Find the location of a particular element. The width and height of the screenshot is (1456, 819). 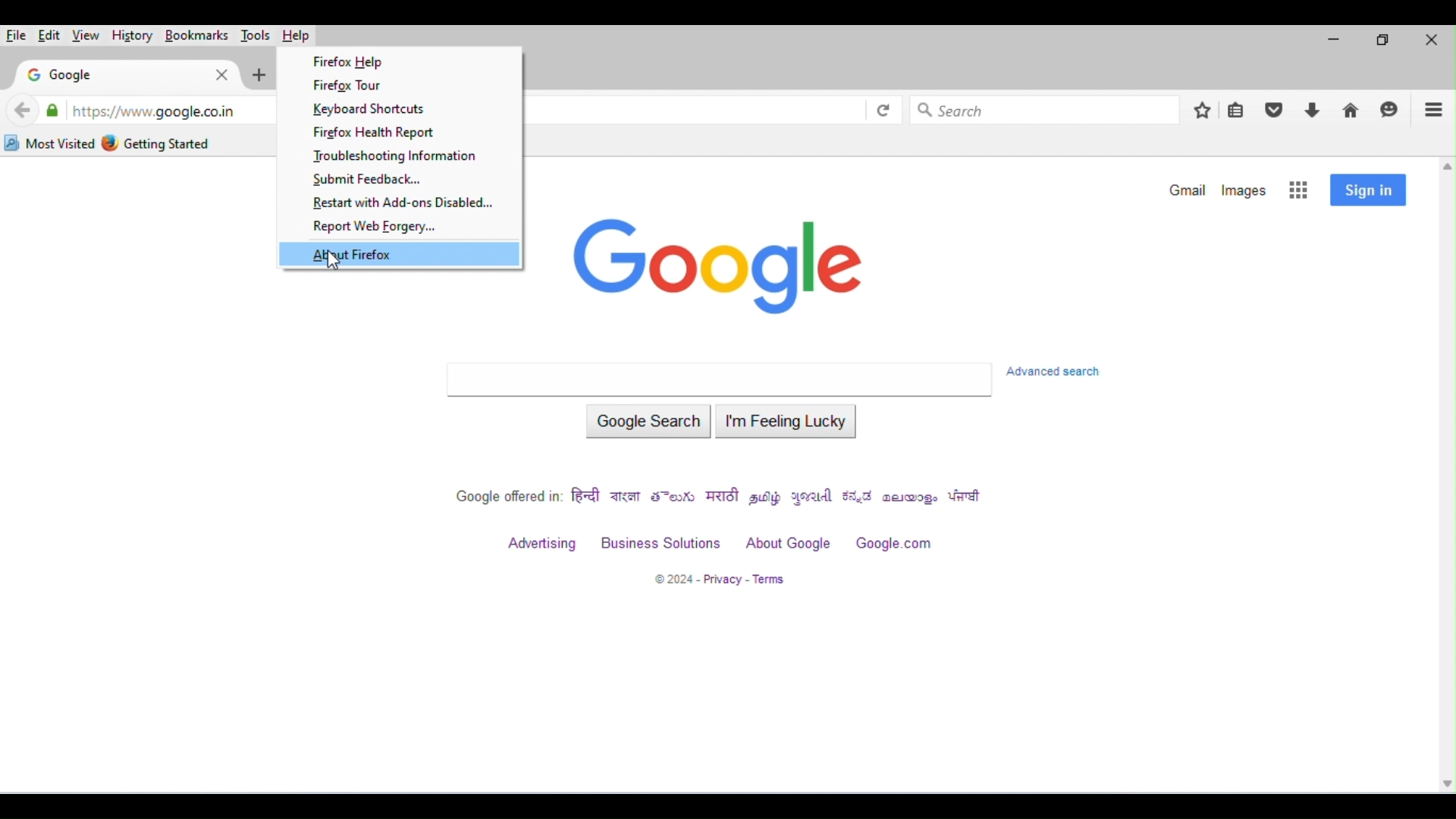

getting started is located at coordinates (159, 143).